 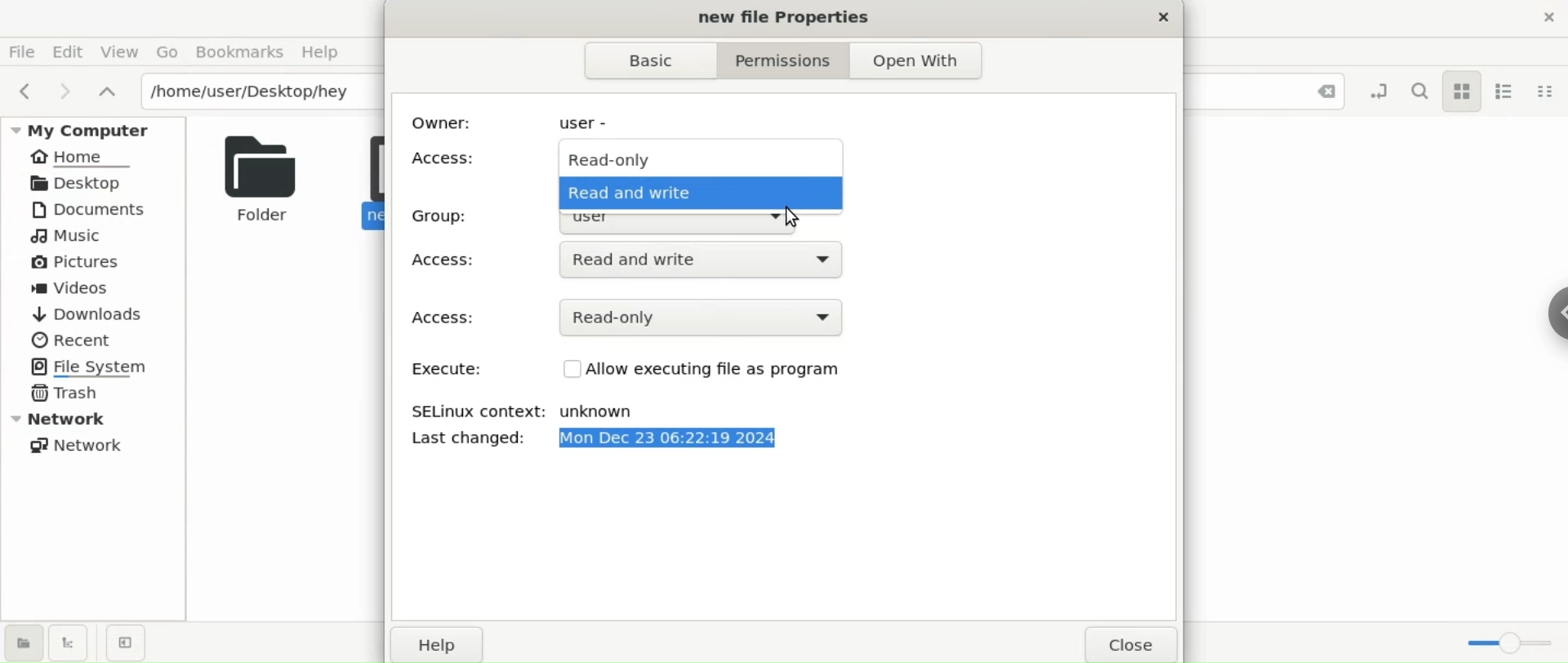 What do you see at coordinates (1464, 94) in the screenshot?
I see `icon view` at bounding box center [1464, 94].